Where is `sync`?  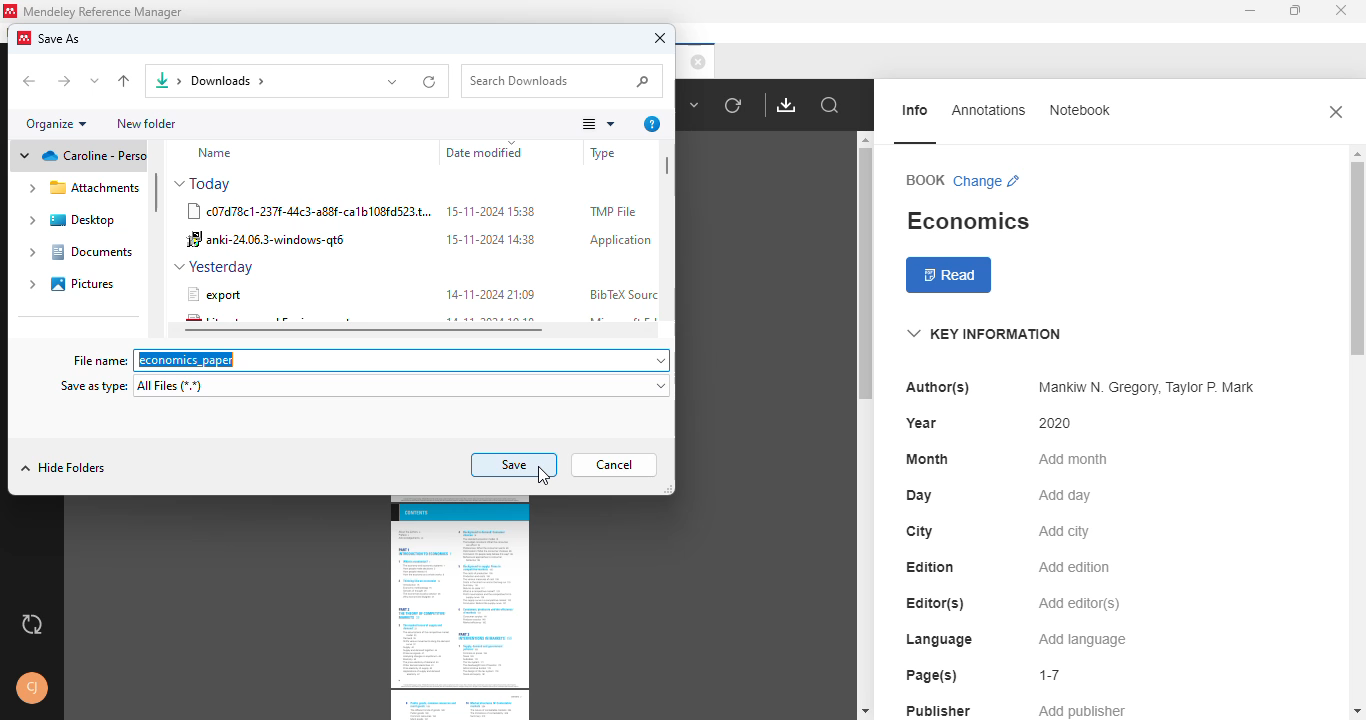
sync is located at coordinates (32, 626).